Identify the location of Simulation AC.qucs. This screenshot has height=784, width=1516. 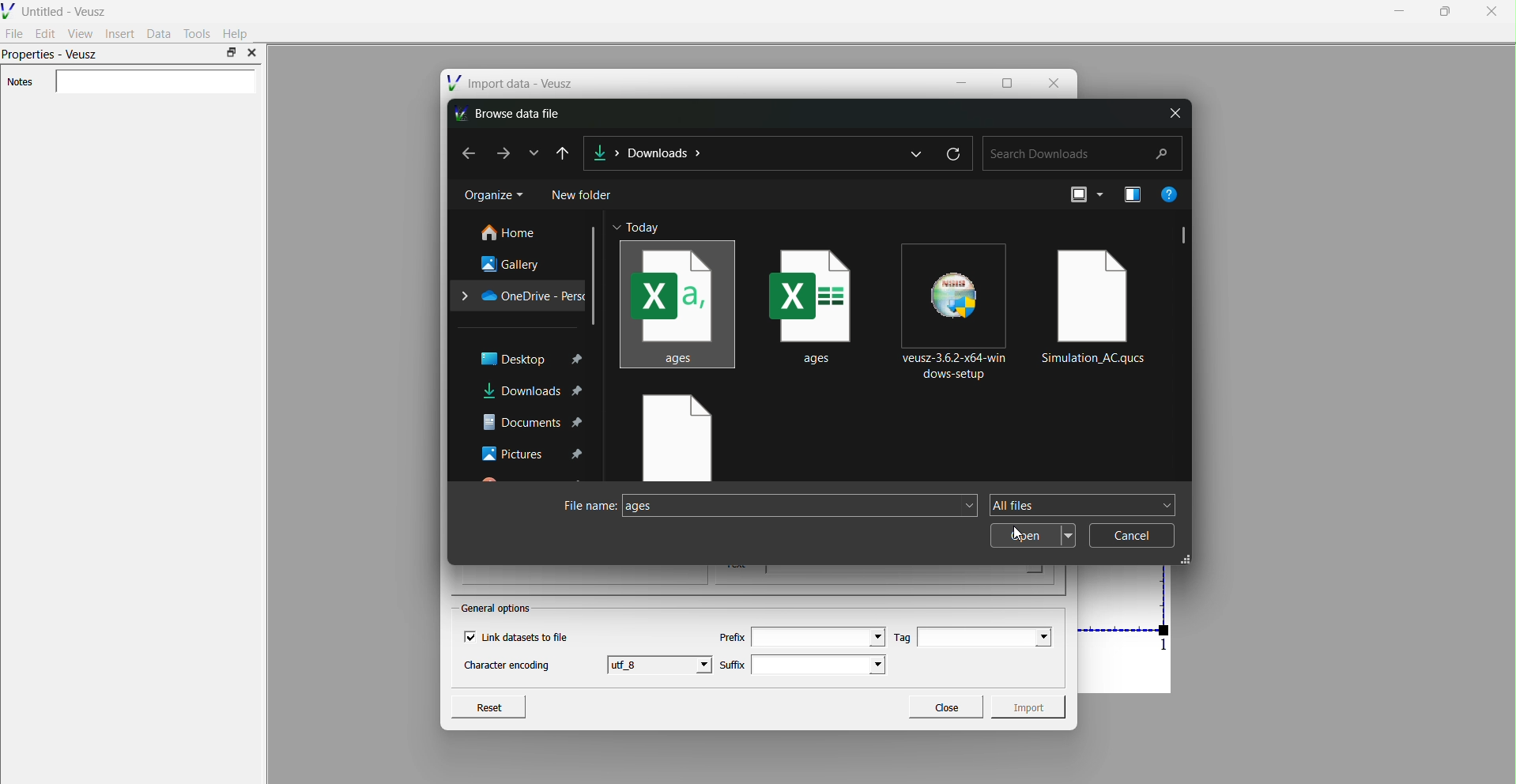
(1097, 303).